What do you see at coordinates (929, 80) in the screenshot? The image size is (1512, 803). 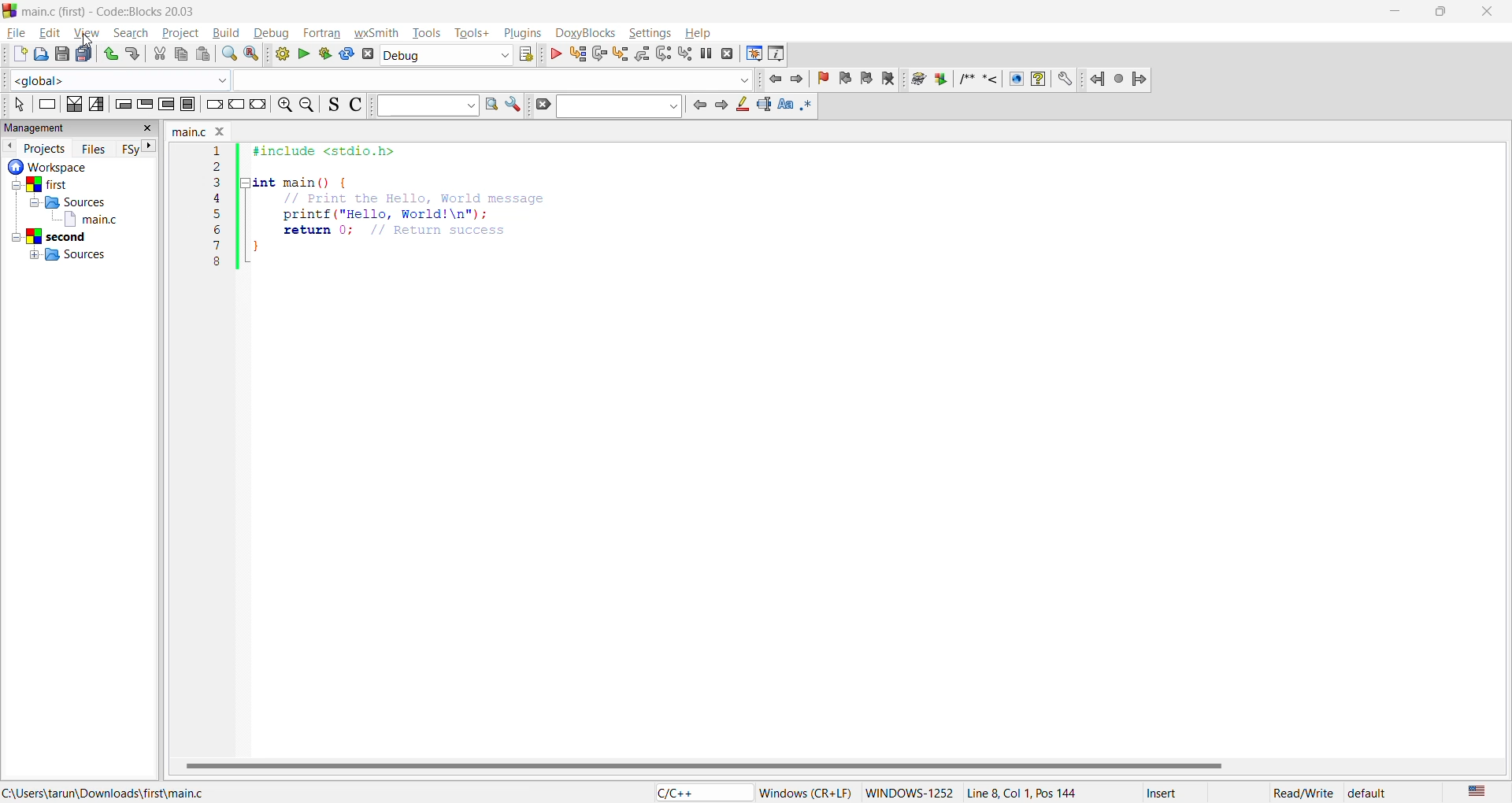 I see `doxyblocks` at bounding box center [929, 80].